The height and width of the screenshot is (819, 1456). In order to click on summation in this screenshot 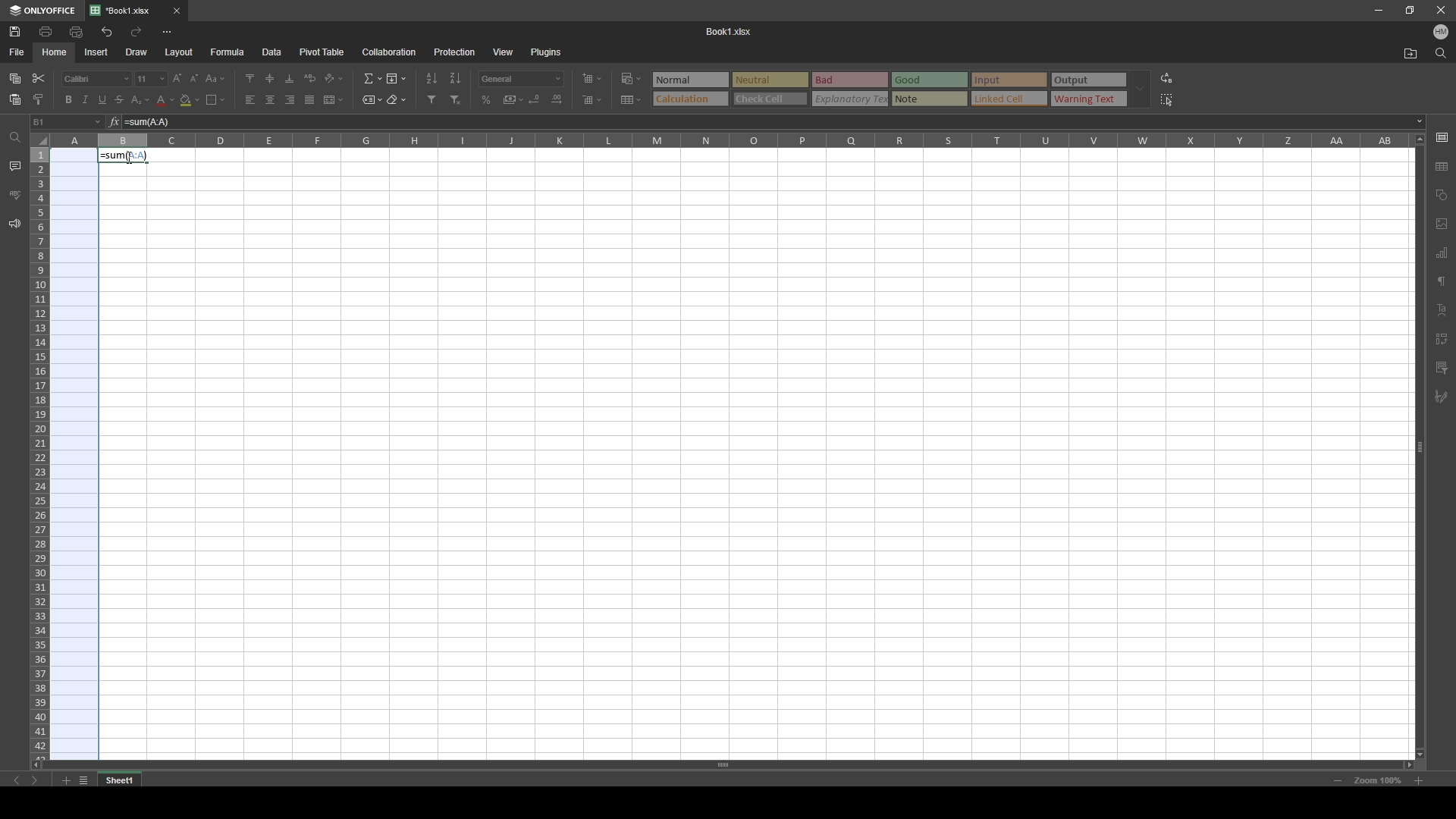, I will do `click(373, 78)`.